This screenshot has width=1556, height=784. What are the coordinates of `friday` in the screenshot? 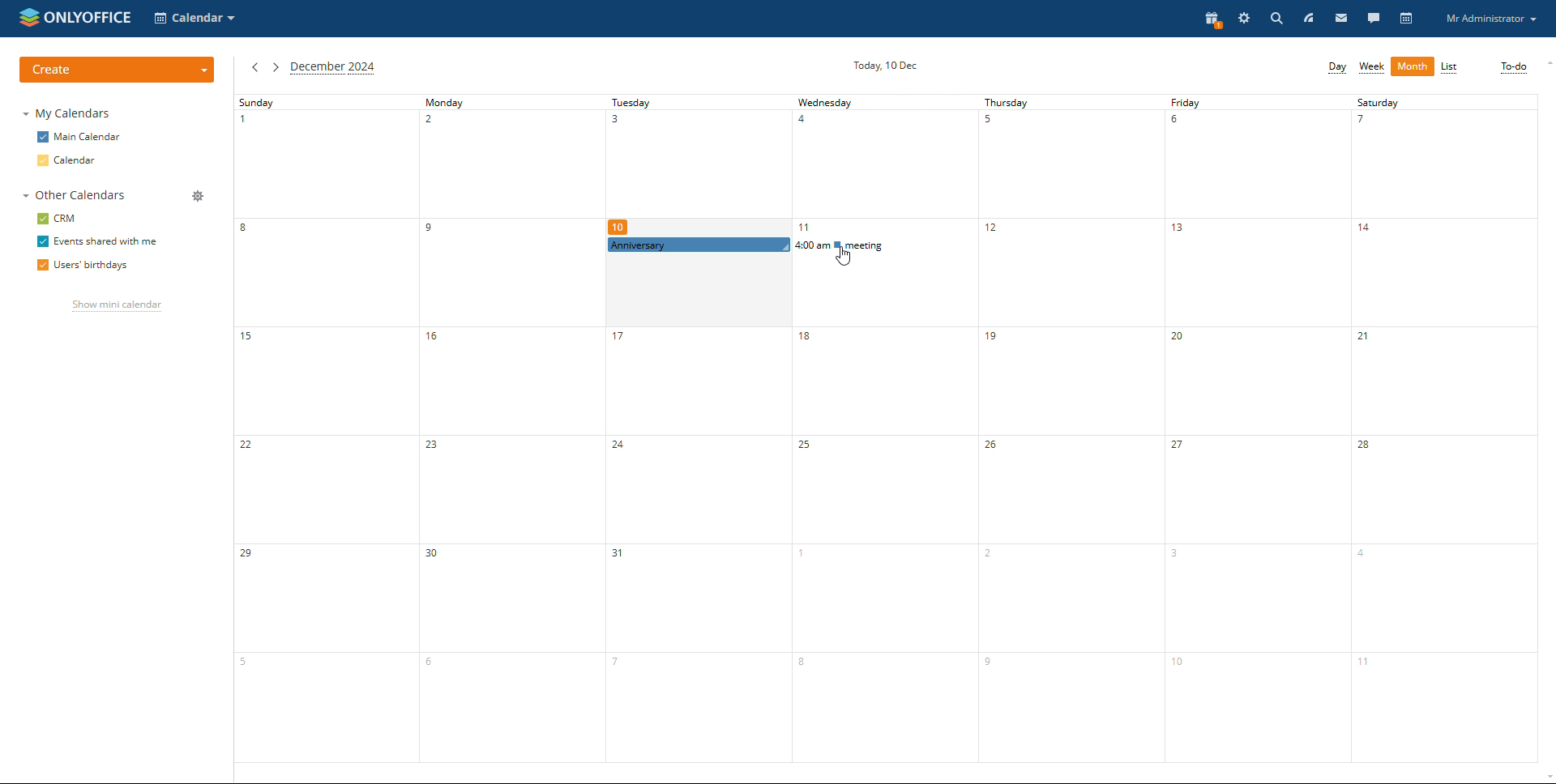 It's located at (1255, 428).